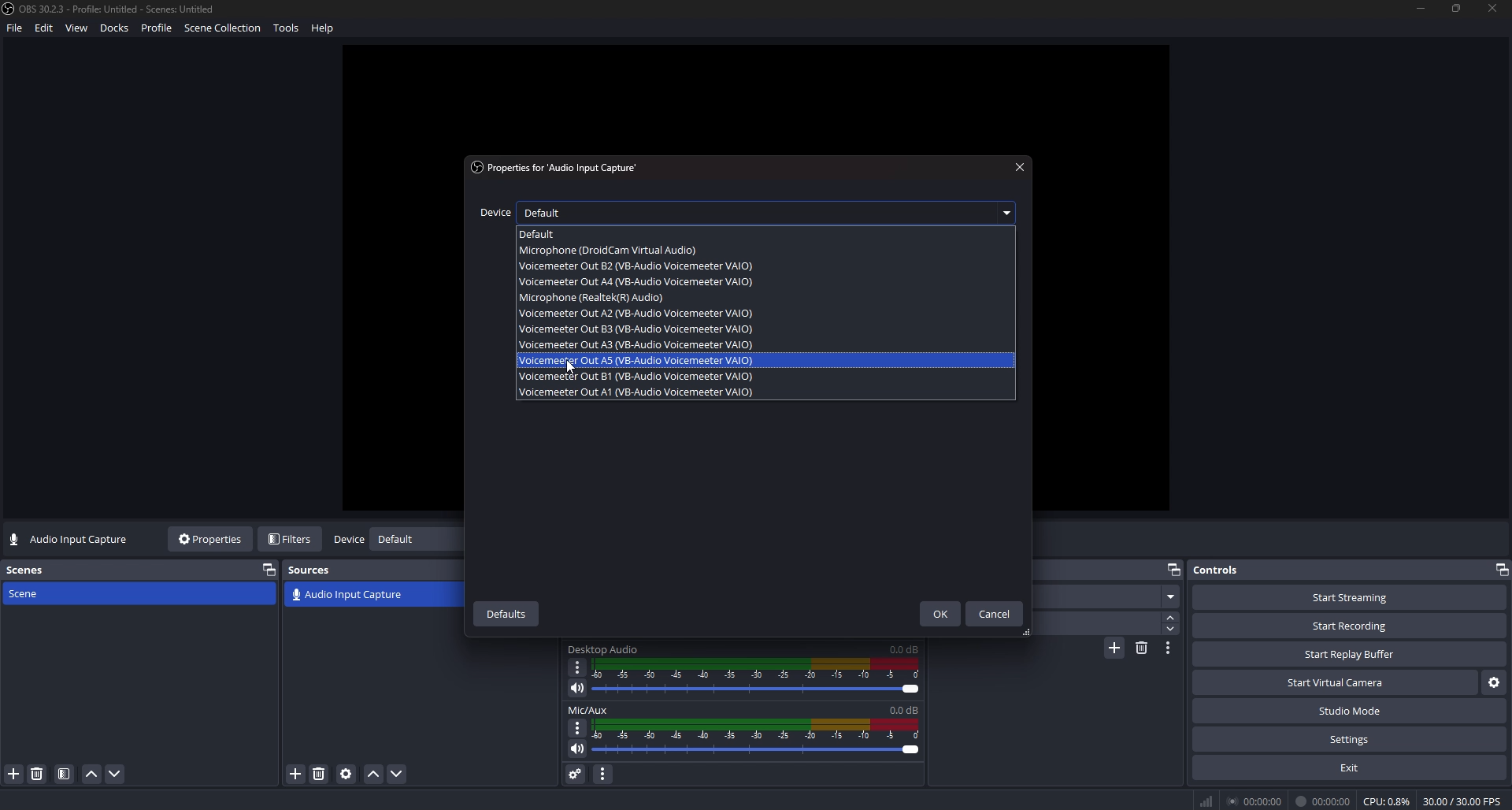 The height and width of the screenshot is (810, 1512). What do you see at coordinates (13, 32) in the screenshot?
I see `file` at bounding box center [13, 32].